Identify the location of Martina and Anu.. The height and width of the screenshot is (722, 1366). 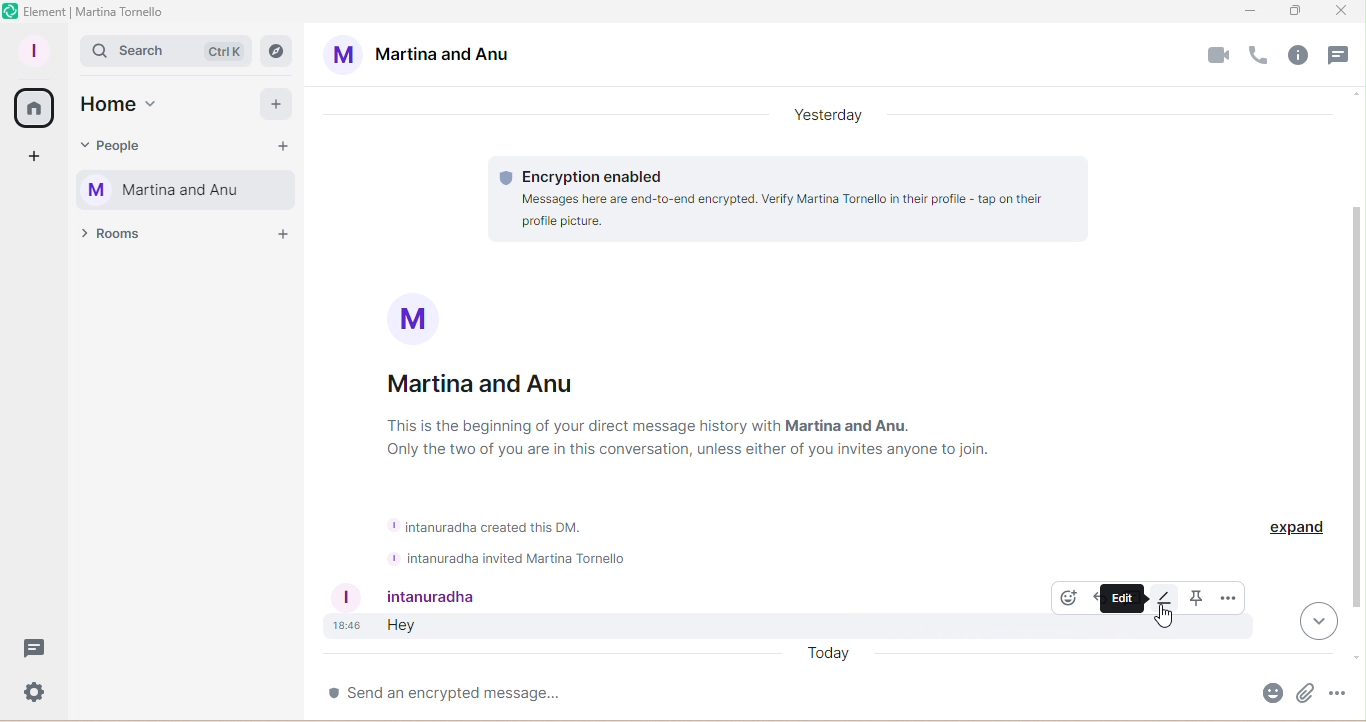
(847, 426).